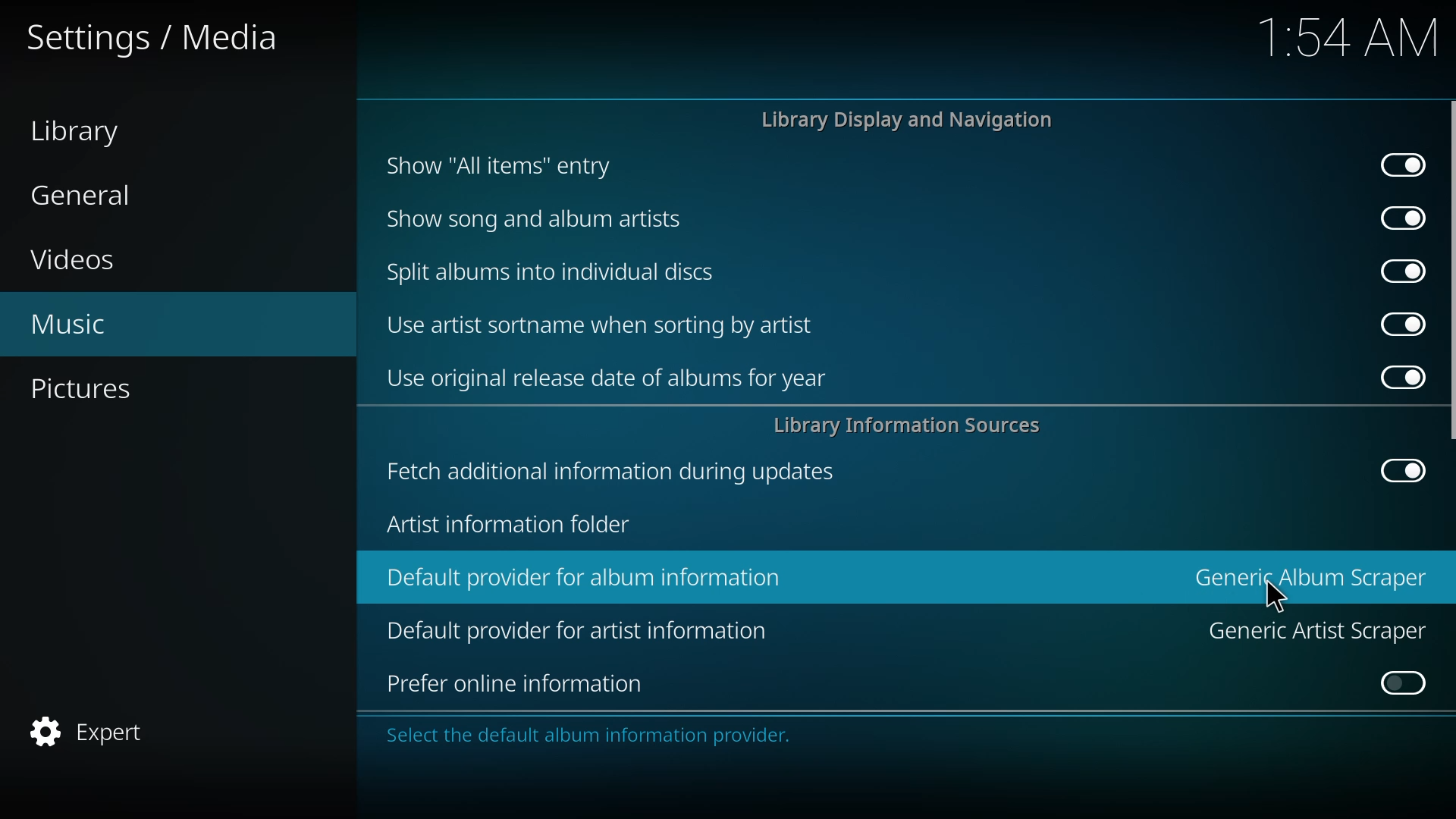  I want to click on settings media, so click(157, 37).